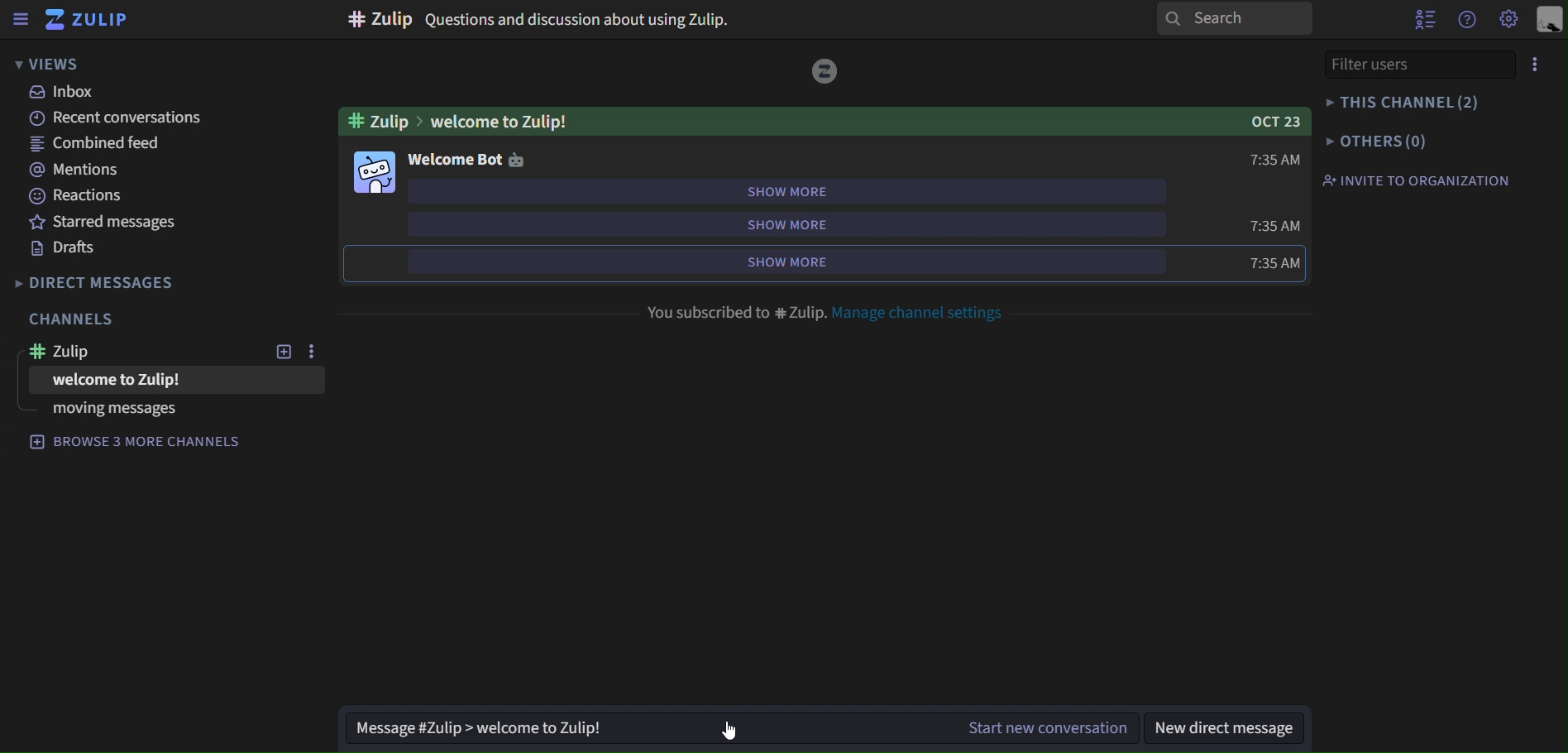  I want to click on 7:35 AM, so click(1274, 242).